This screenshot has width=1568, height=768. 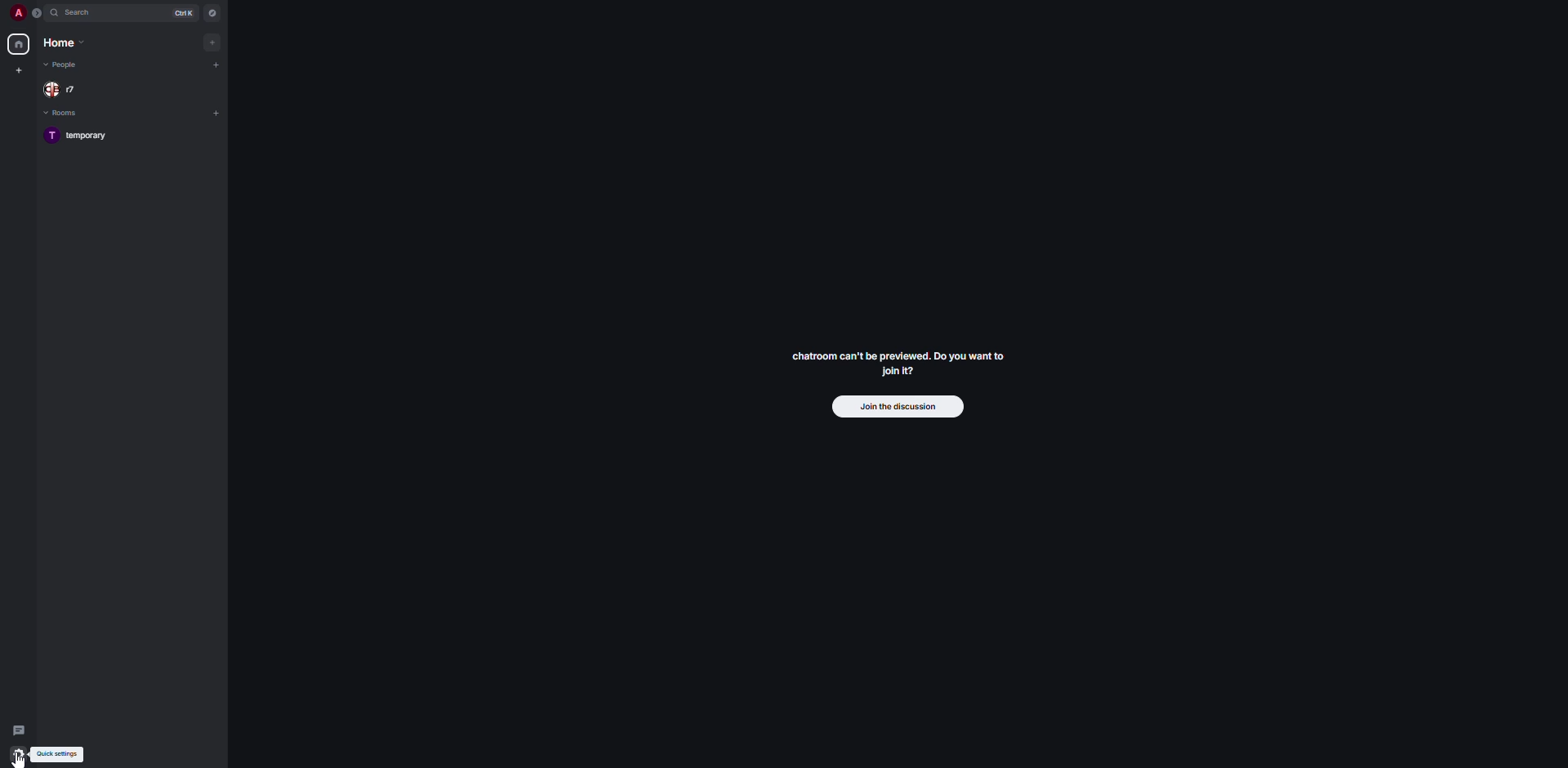 I want to click on cursor, so click(x=22, y=762).